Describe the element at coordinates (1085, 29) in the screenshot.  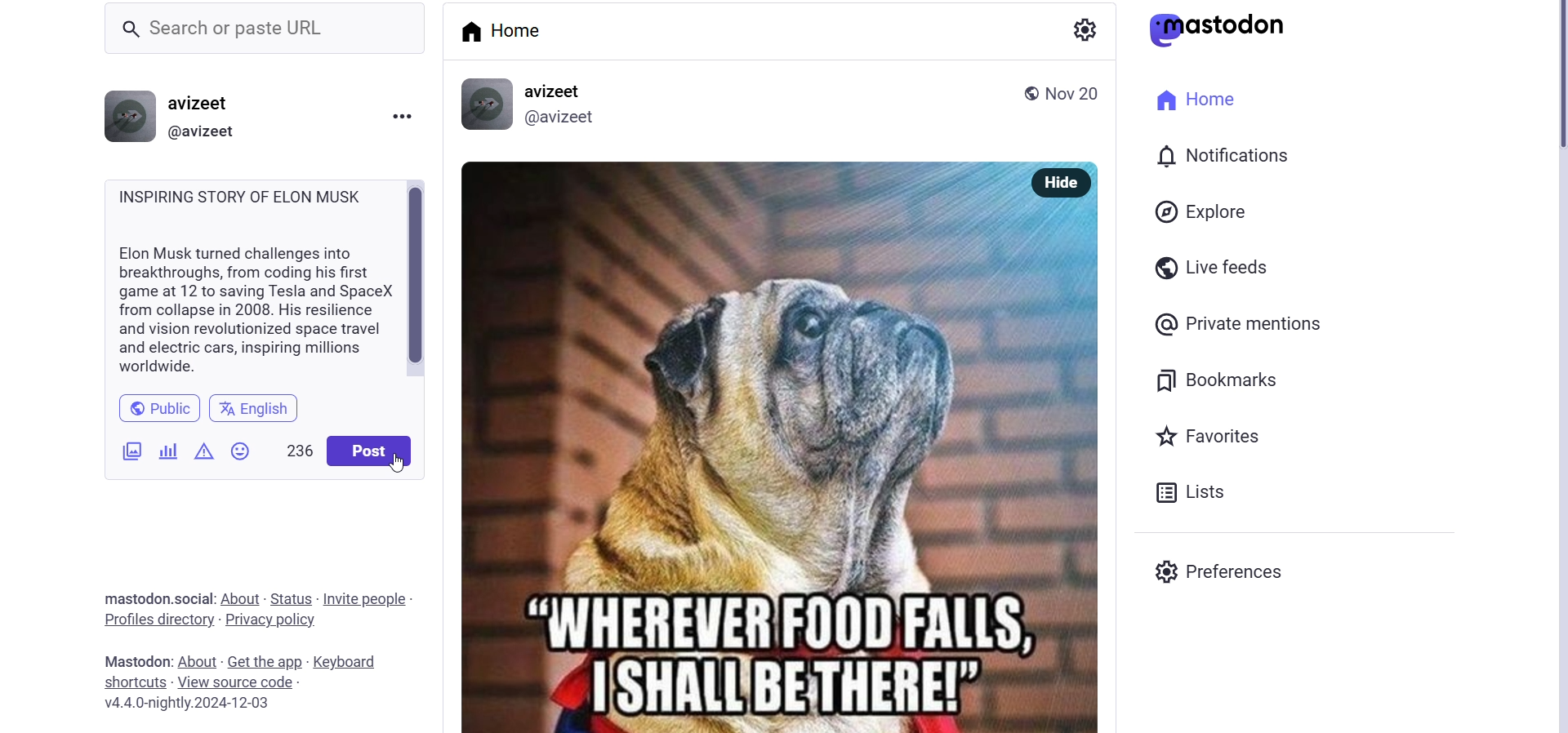
I see `show settings` at that location.